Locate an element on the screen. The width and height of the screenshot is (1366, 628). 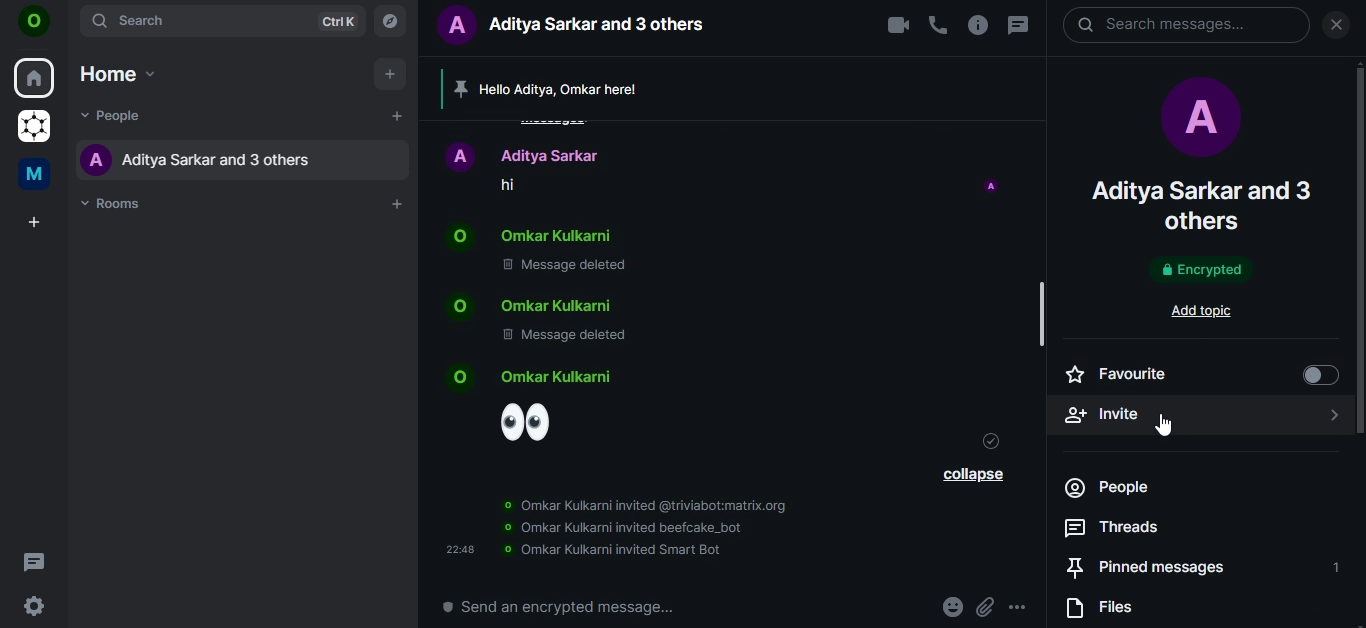
rooms is located at coordinates (115, 202).